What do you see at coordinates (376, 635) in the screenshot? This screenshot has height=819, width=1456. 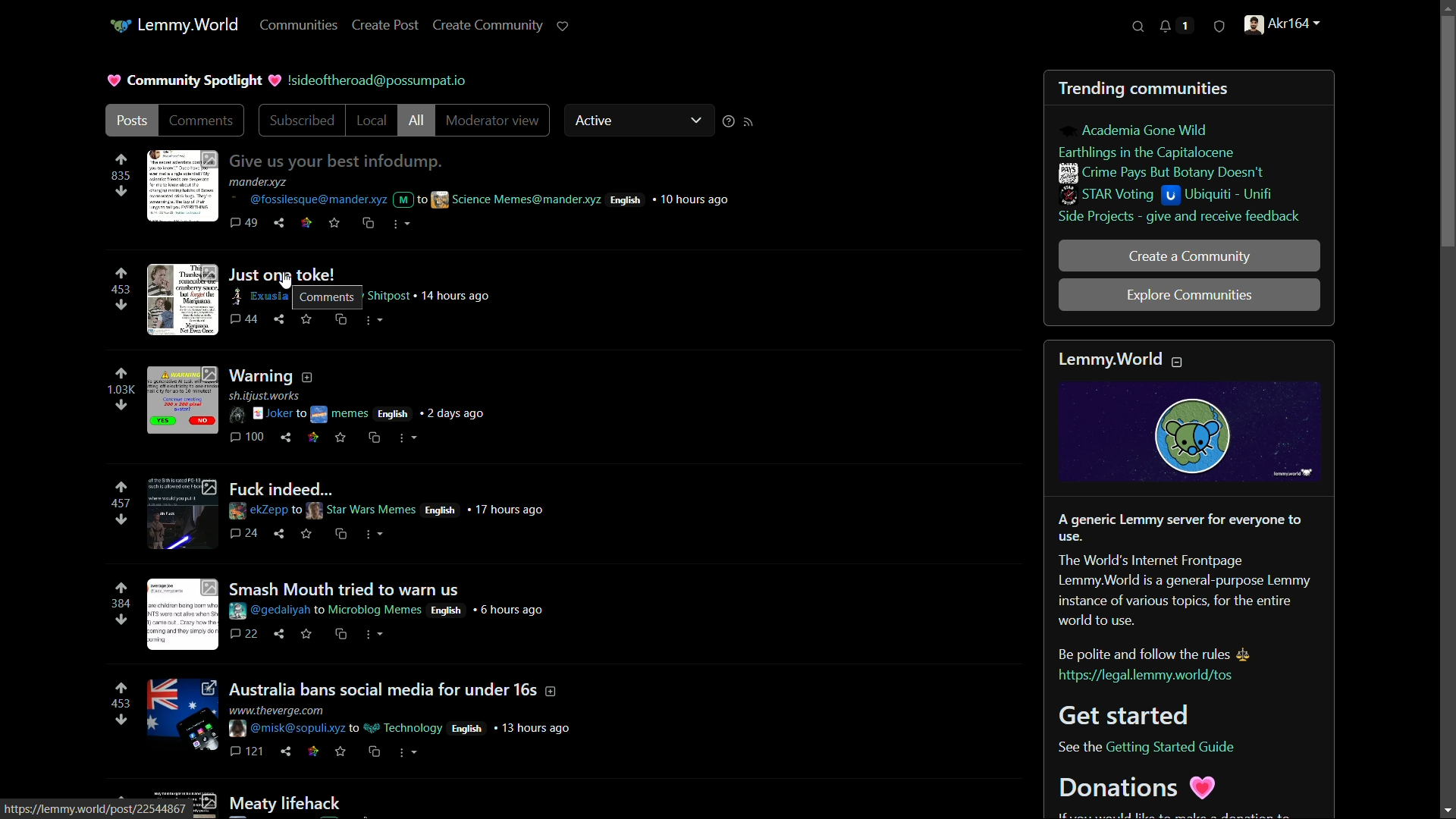 I see `more actions` at bounding box center [376, 635].